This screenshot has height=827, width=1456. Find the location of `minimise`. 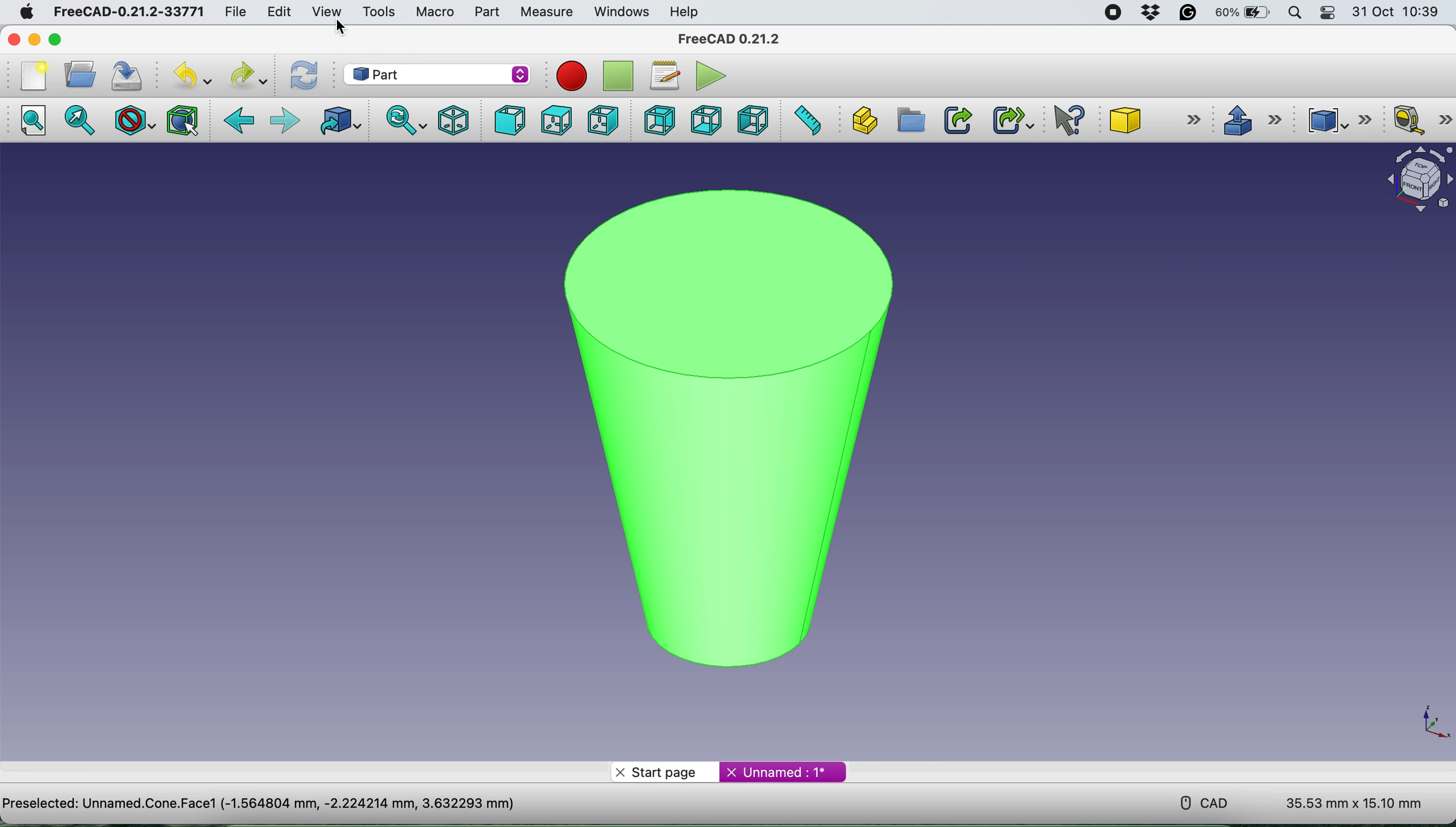

minimise is located at coordinates (38, 39).